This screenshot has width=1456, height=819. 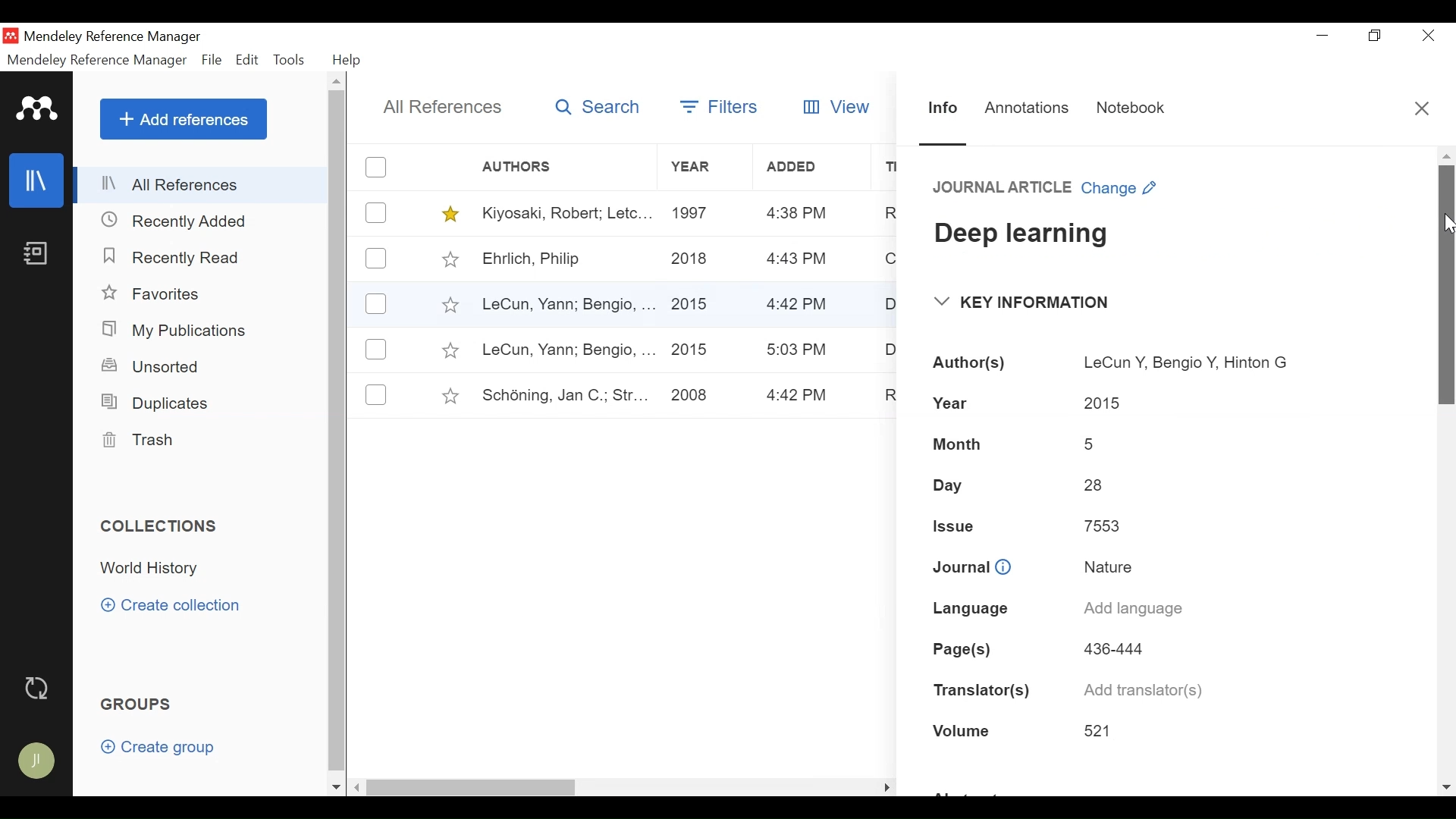 I want to click on My Publications, so click(x=179, y=331).